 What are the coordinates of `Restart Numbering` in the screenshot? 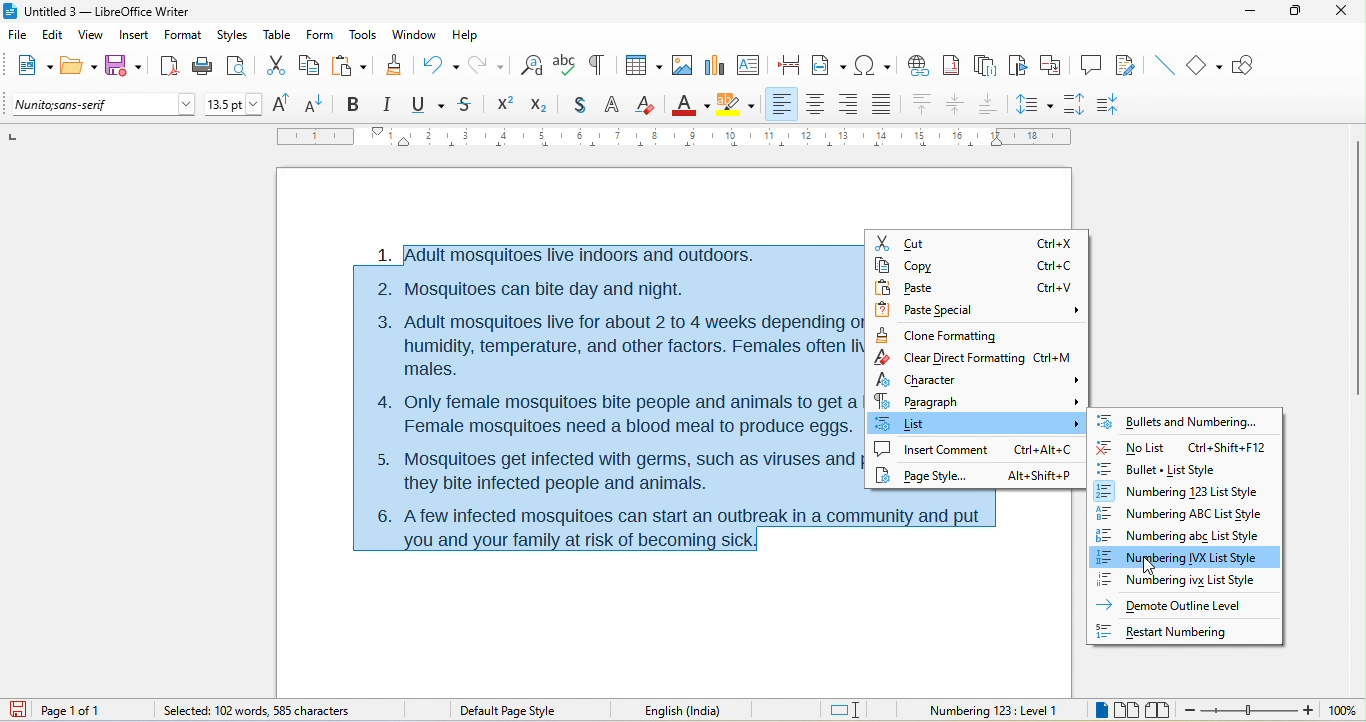 It's located at (1175, 630).